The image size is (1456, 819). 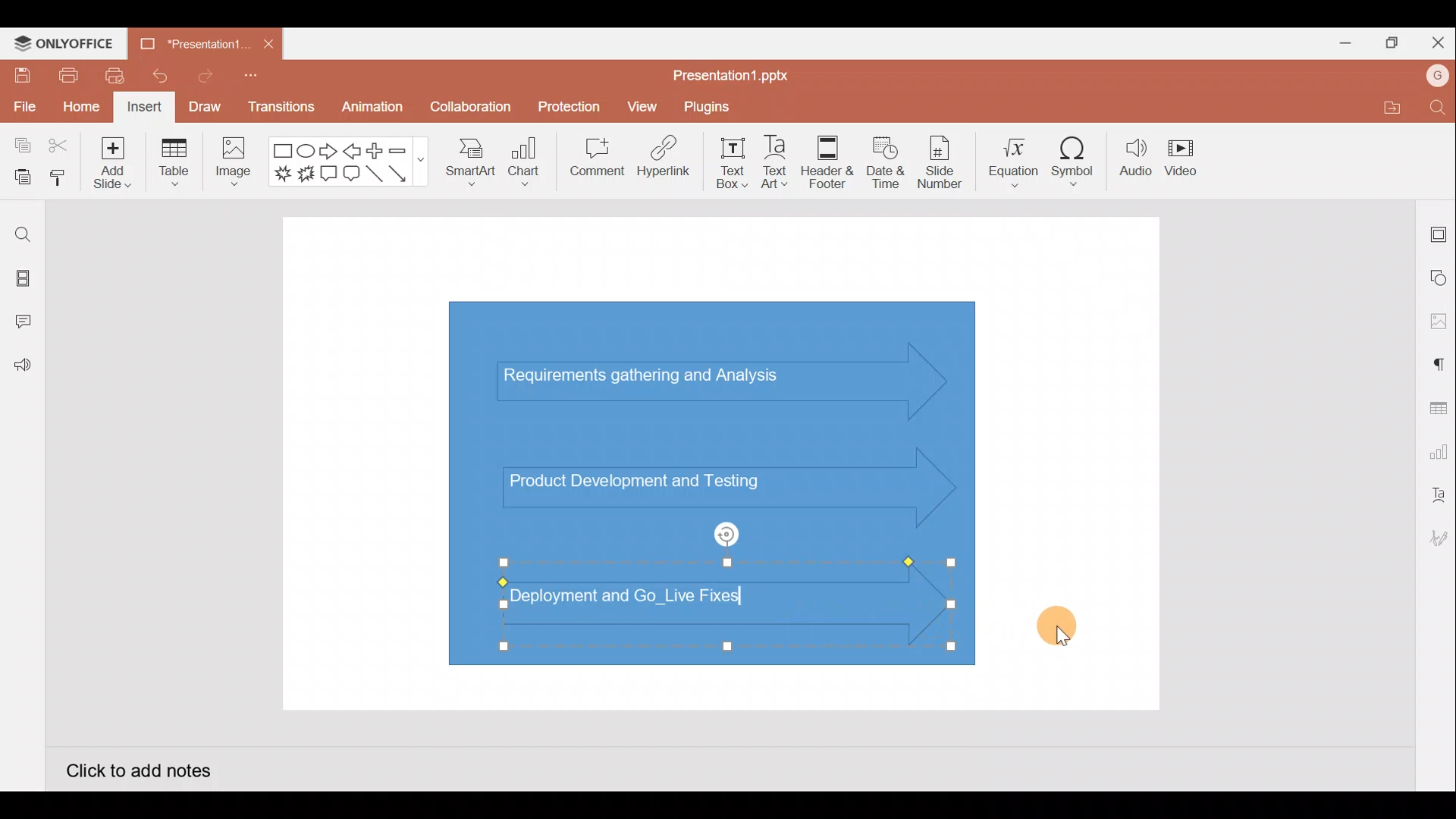 I want to click on Explosion 1, so click(x=283, y=173).